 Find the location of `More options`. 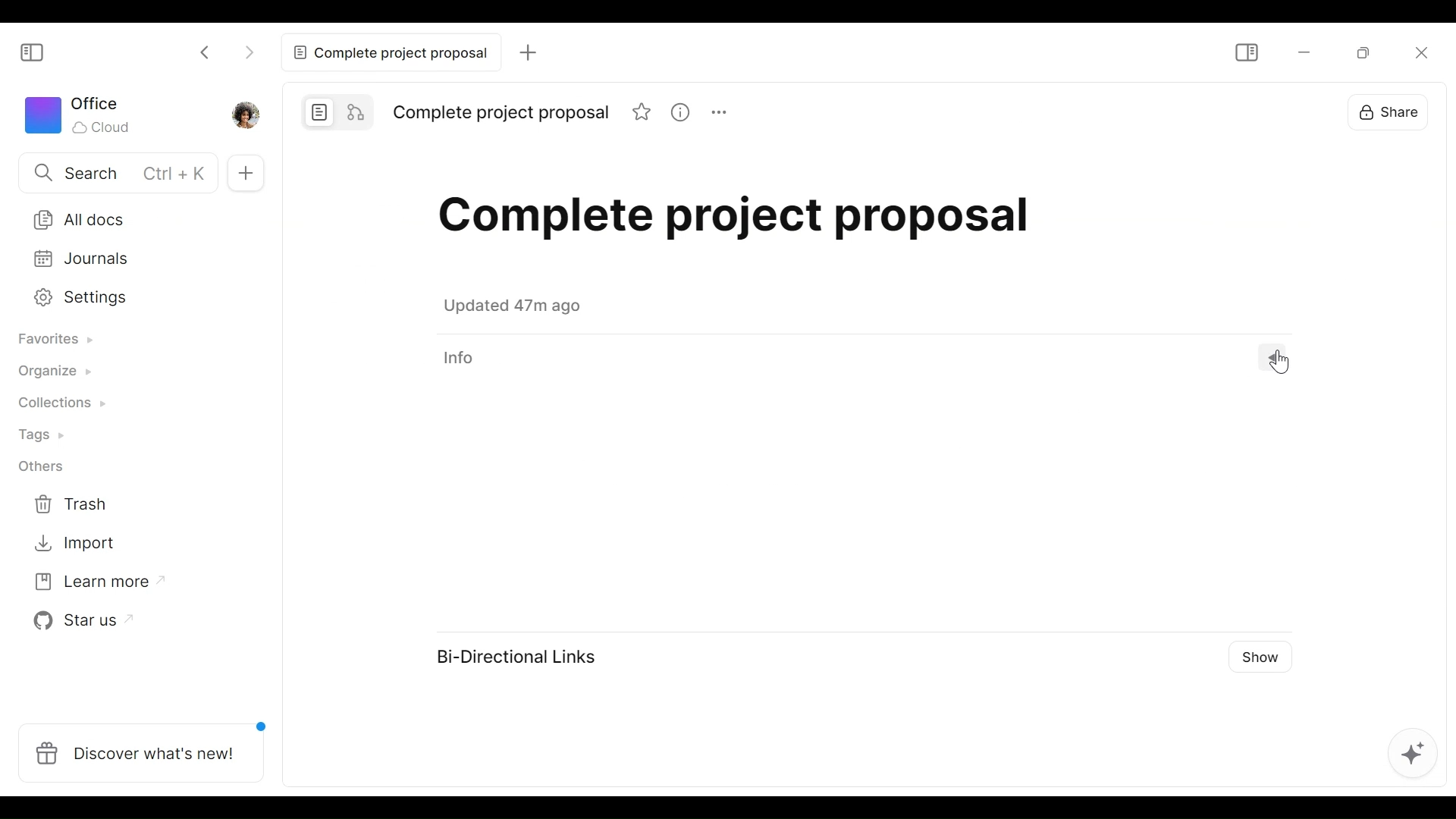

More options is located at coordinates (717, 111).